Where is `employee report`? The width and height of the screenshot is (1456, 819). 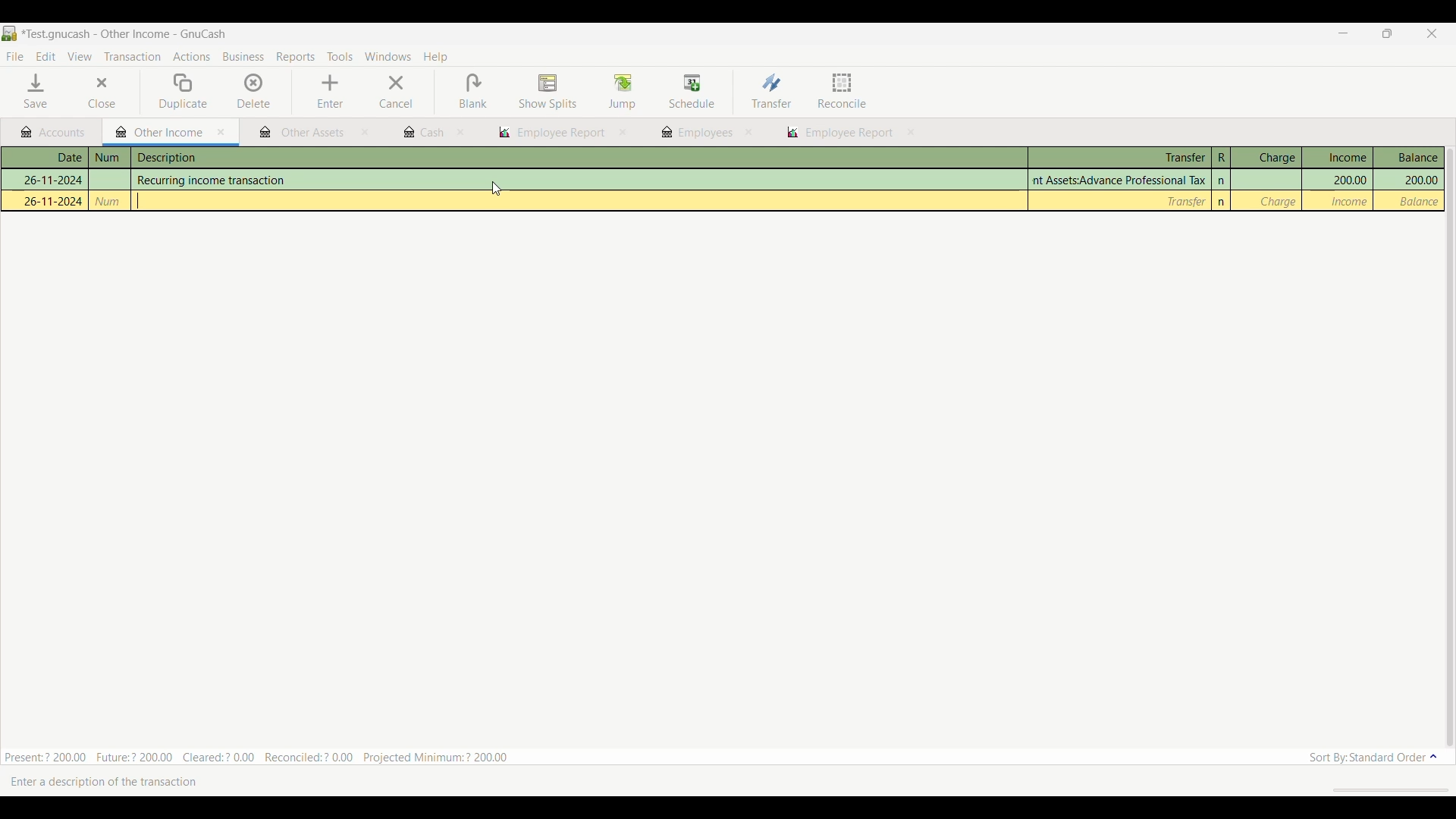
employee report is located at coordinates (551, 133).